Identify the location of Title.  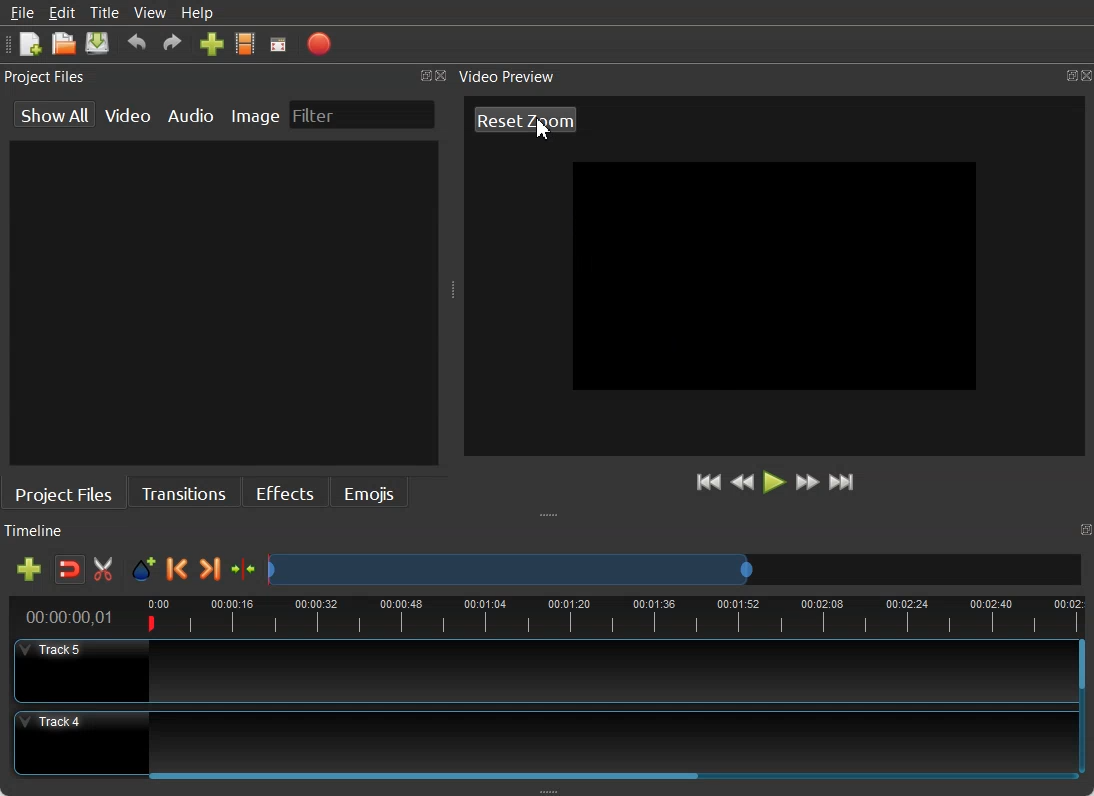
(106, 13).